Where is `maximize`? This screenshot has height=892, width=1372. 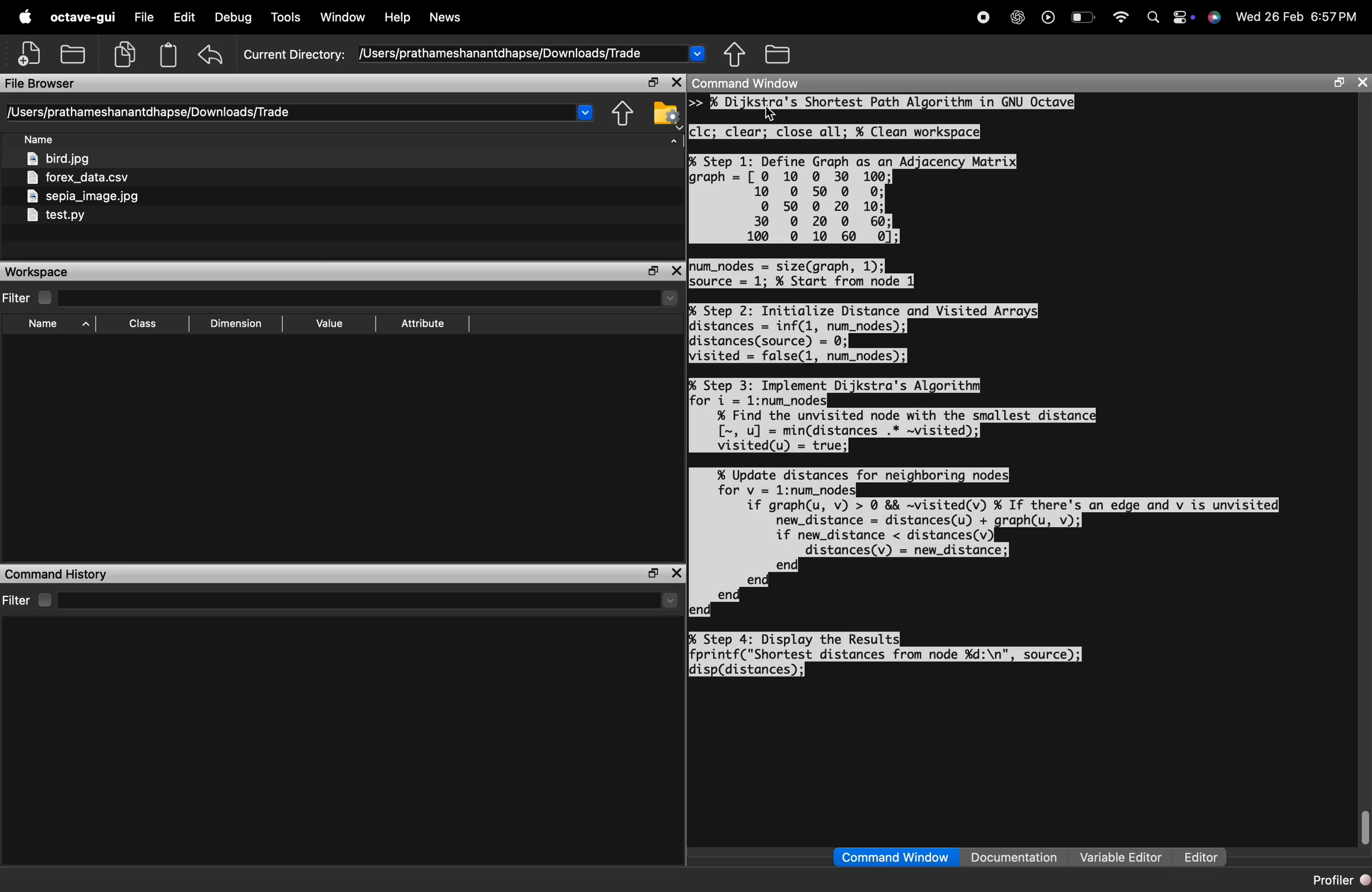
maximize is located at coordinates (1339, 82).